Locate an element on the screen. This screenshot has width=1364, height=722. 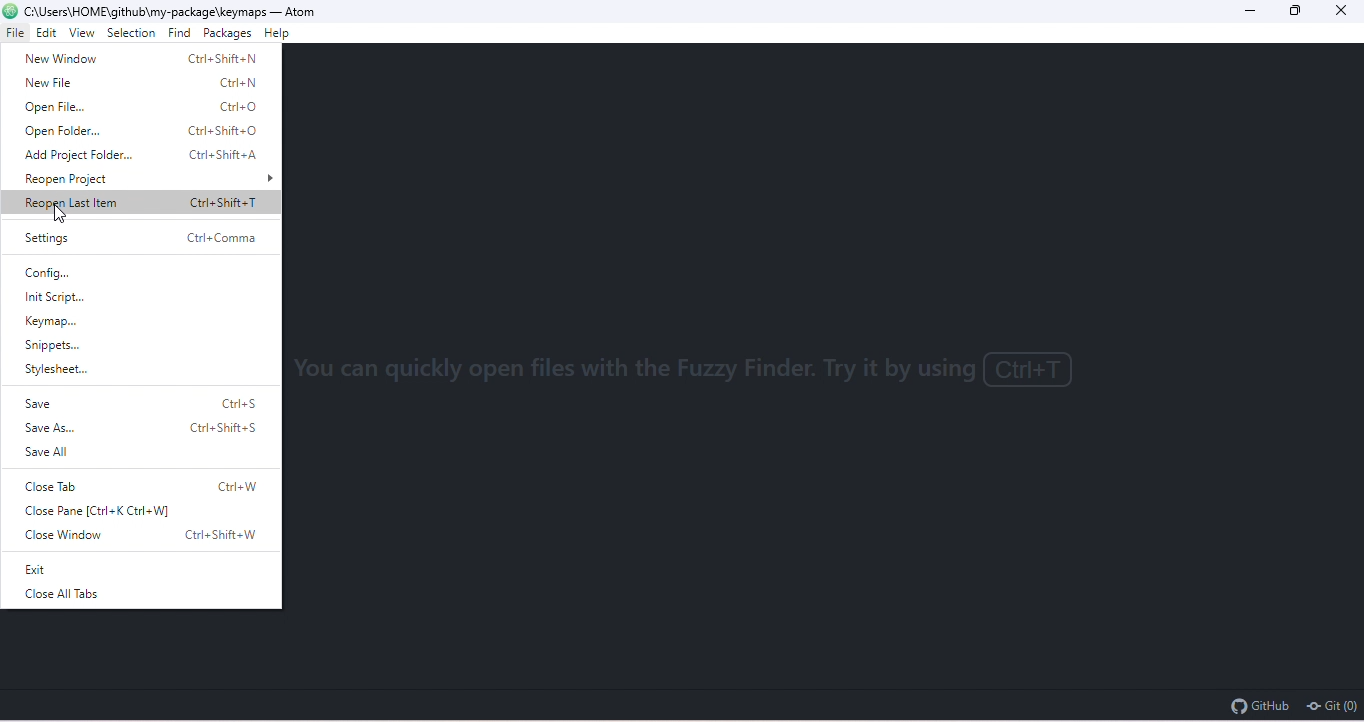
c:\ users \home\github\my package\keymaps-atoms is located at coordinates (170, 11).